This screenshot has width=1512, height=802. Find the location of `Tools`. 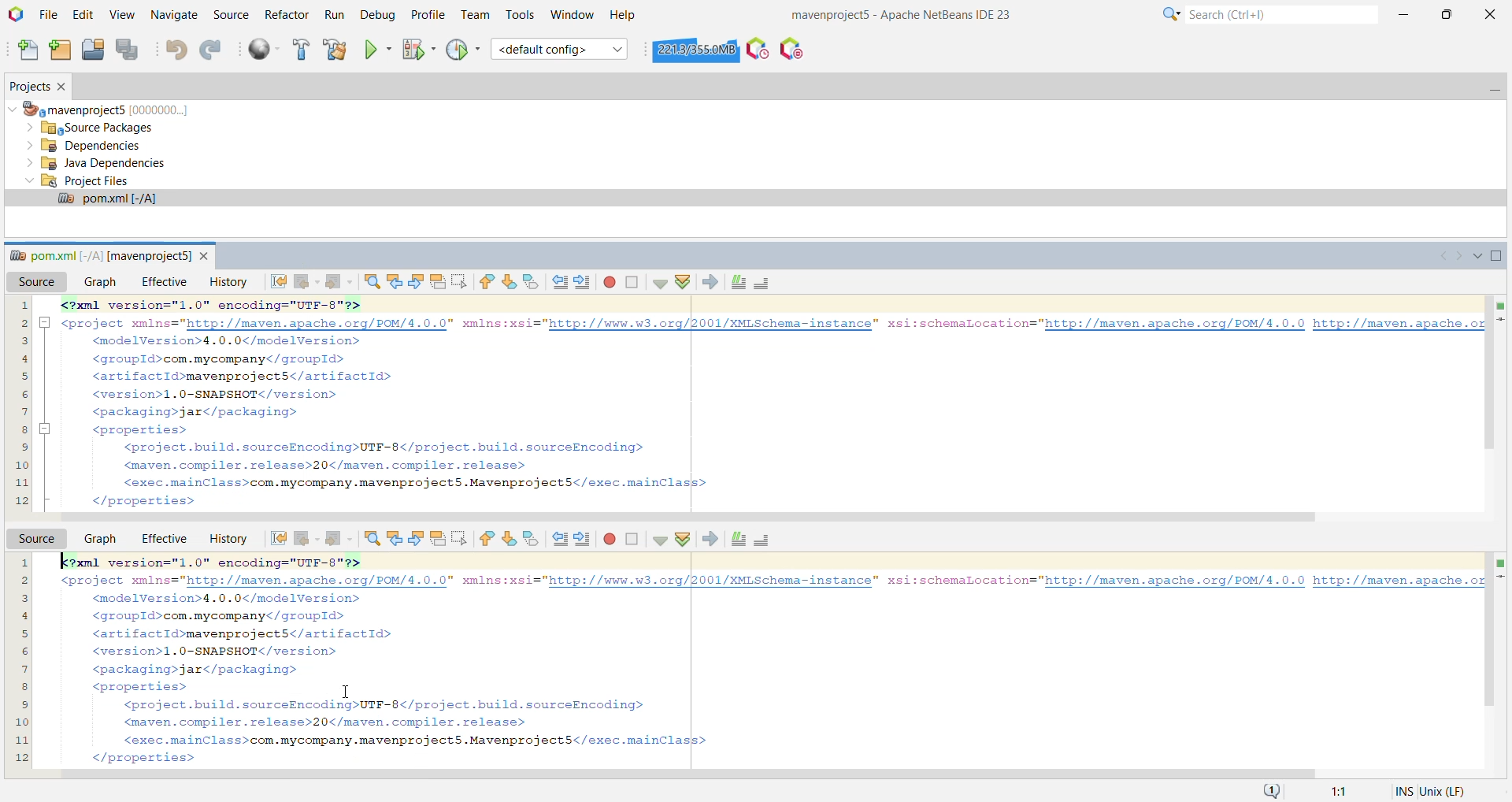

Tools is located at coordinates (521, 15).